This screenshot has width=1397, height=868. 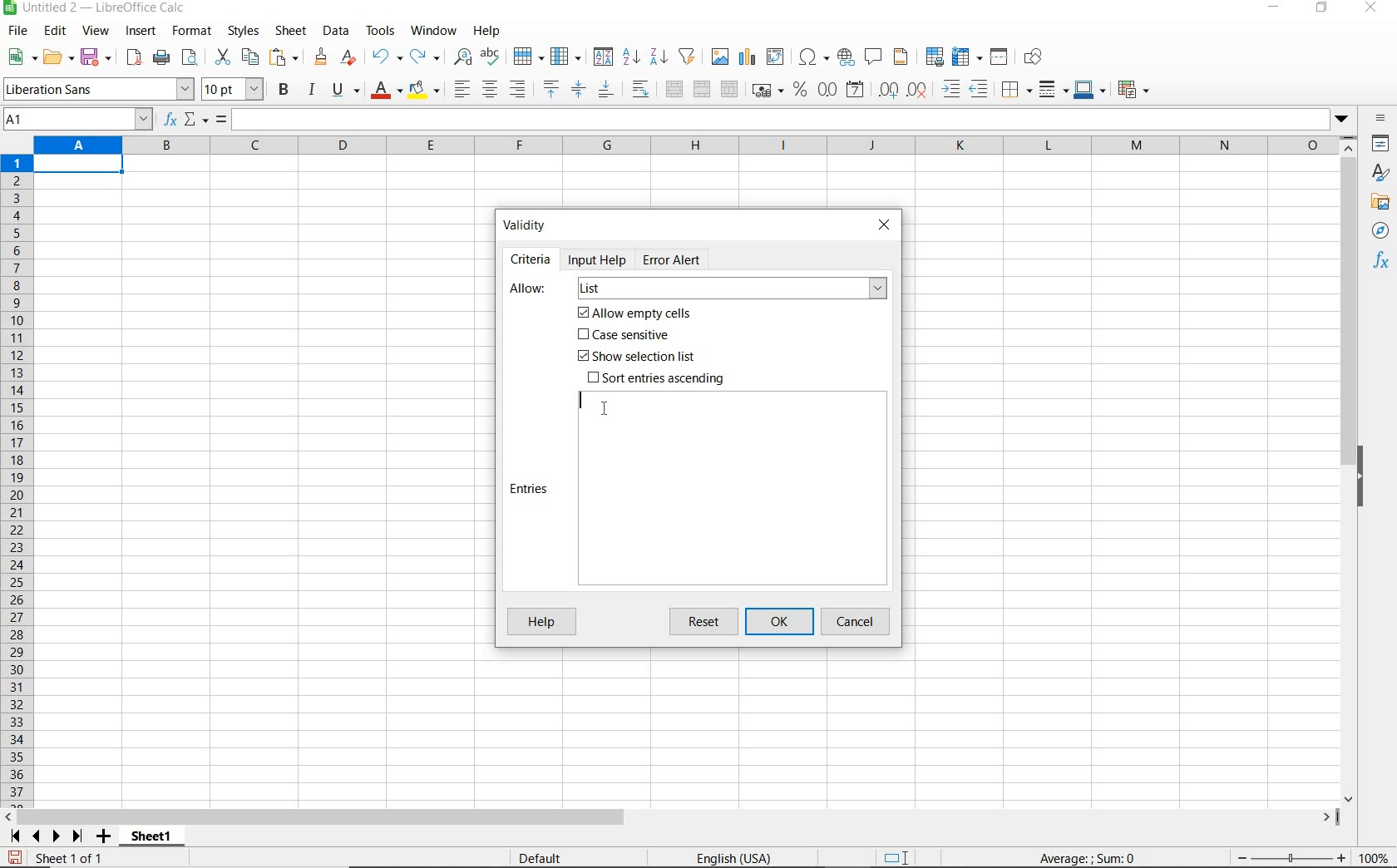 What do you see at coordinates (1370, 8) in the screenshot?
I see `close` at bounding box center [1370, 8].